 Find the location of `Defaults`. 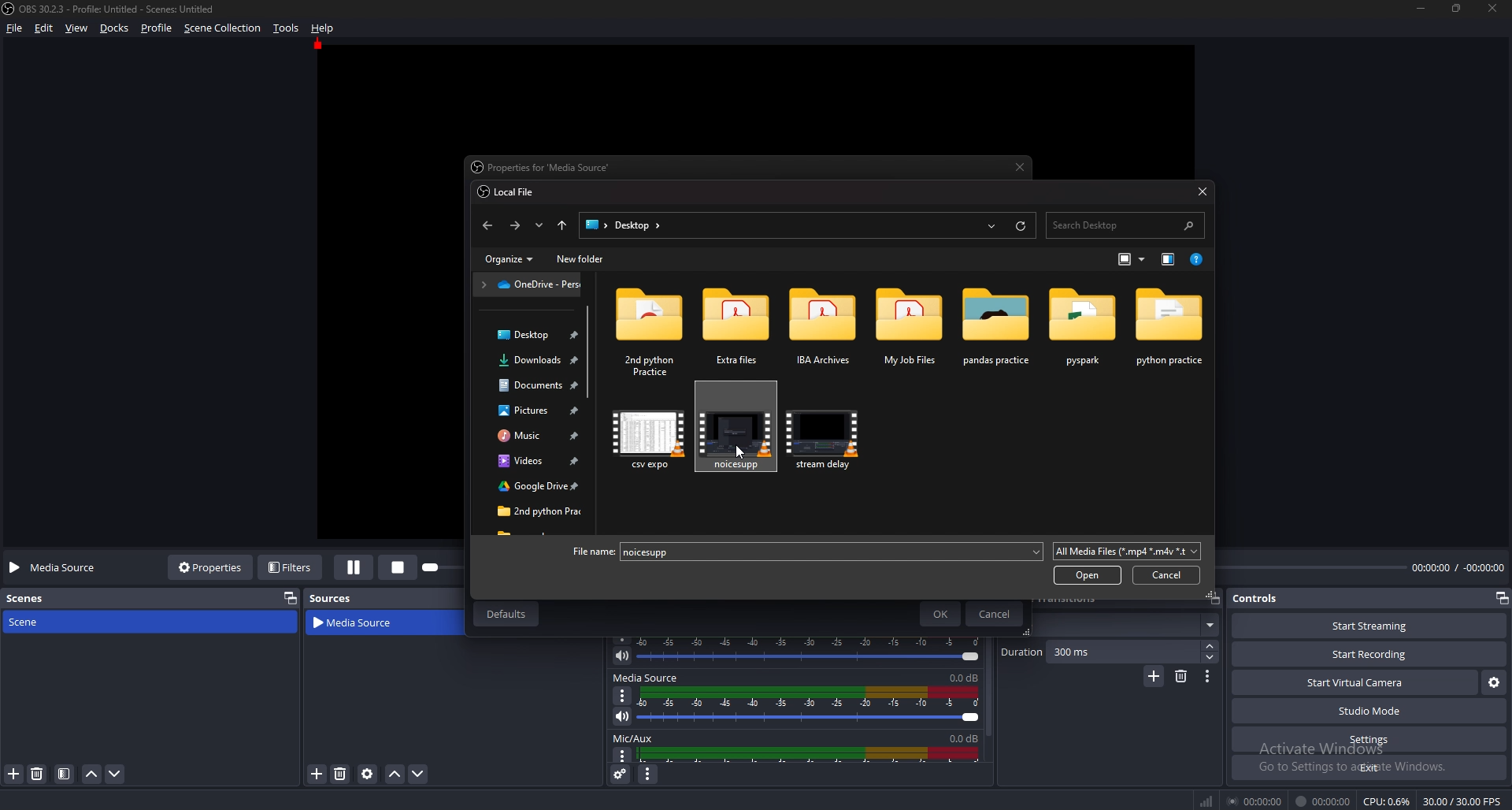

Defaults is located at coordinates (505, 614).